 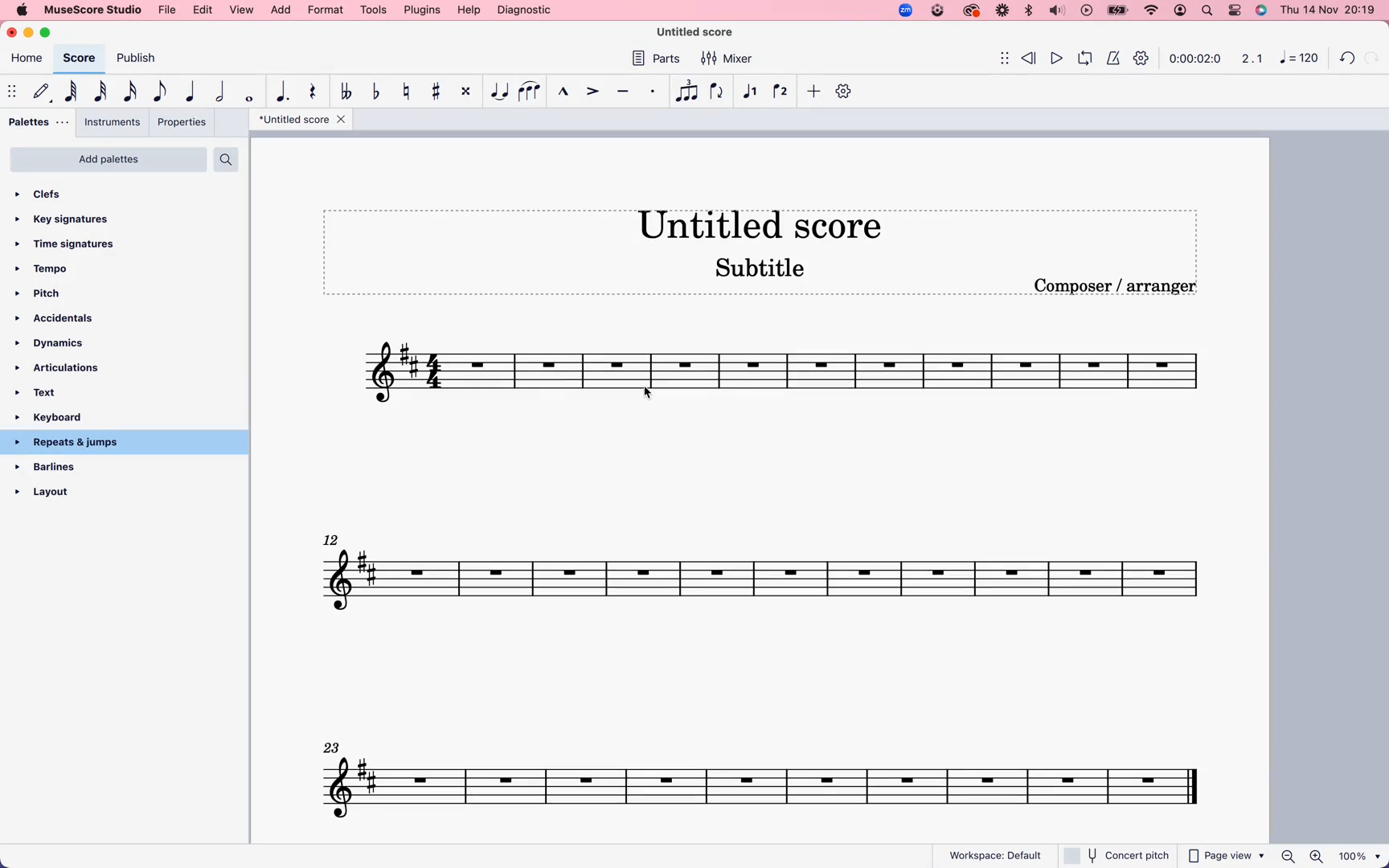 What do you see at coordinates (59, 196) in the screenshot?
I see `clefs` at bounding box center [59, 196].